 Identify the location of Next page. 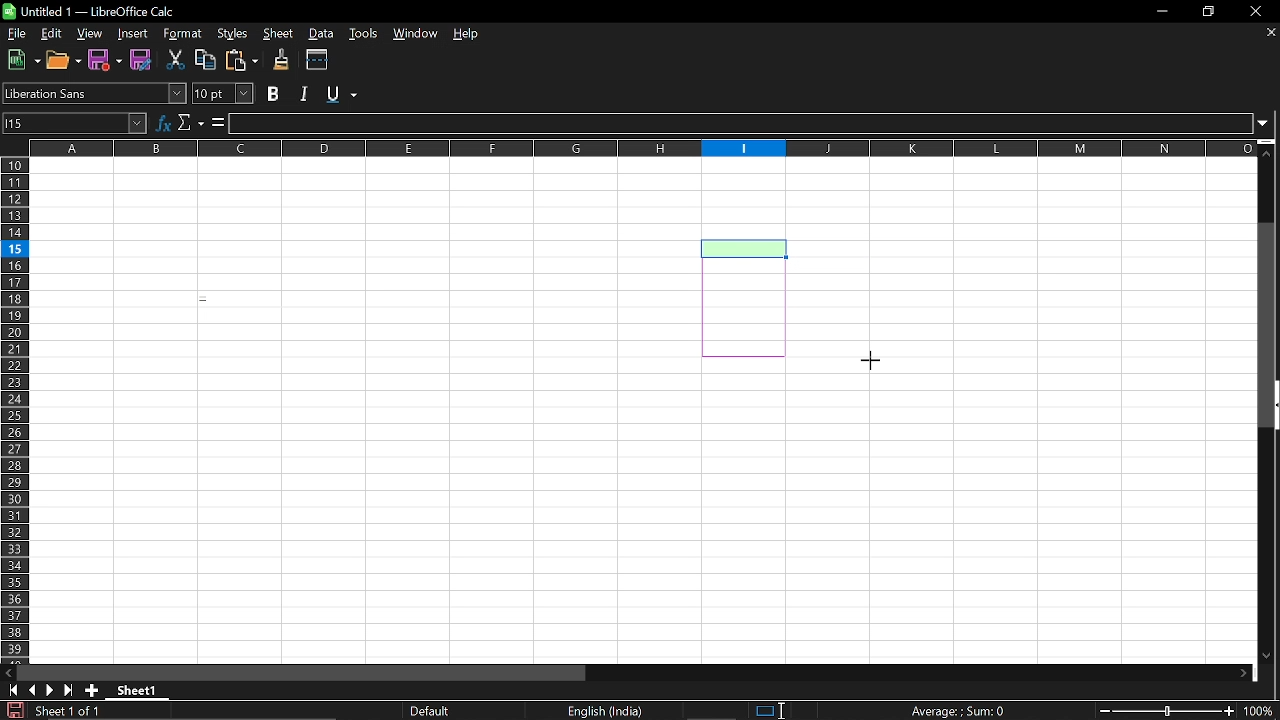
(51, 691).